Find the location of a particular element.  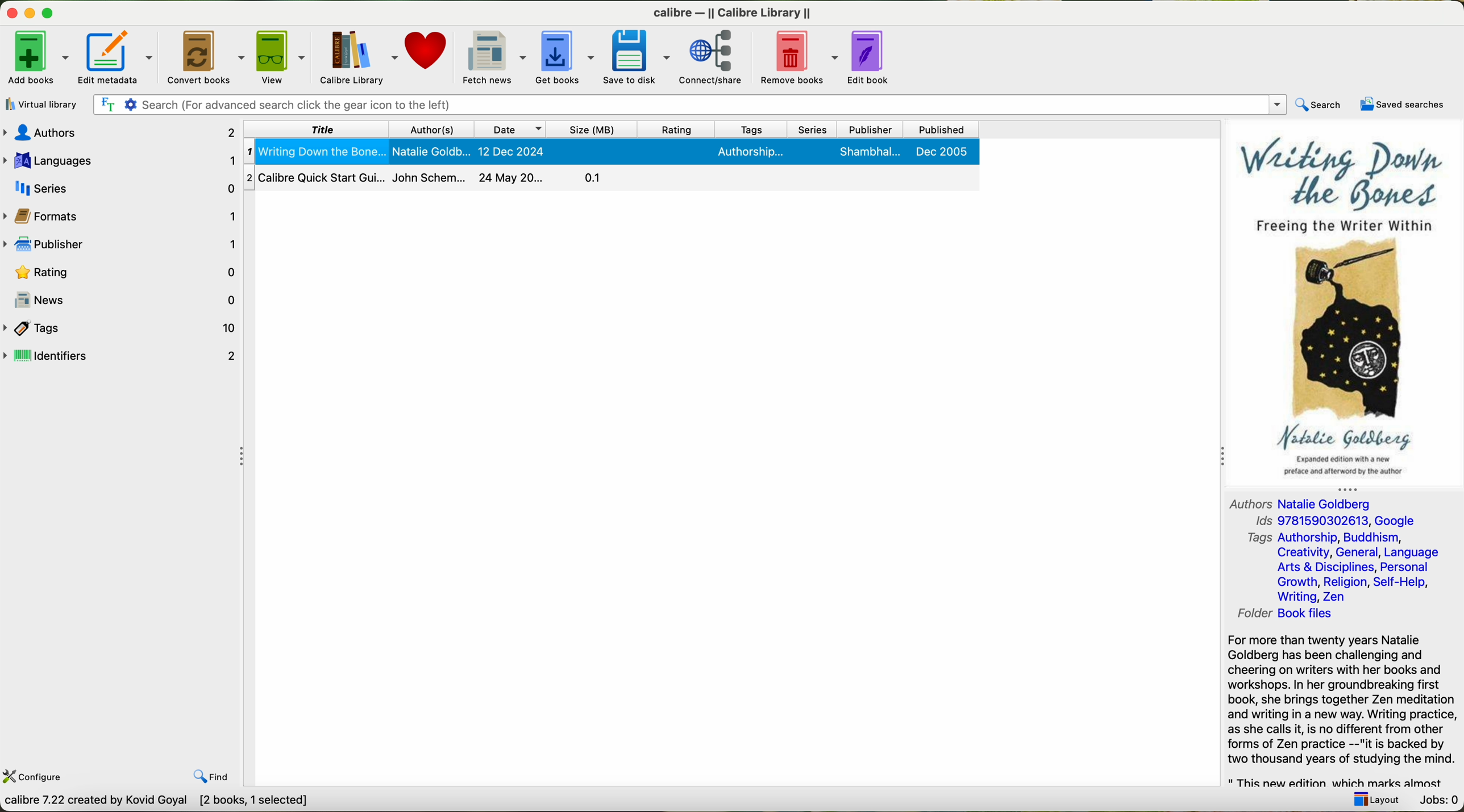

tags is located at coordinates (747, 130).